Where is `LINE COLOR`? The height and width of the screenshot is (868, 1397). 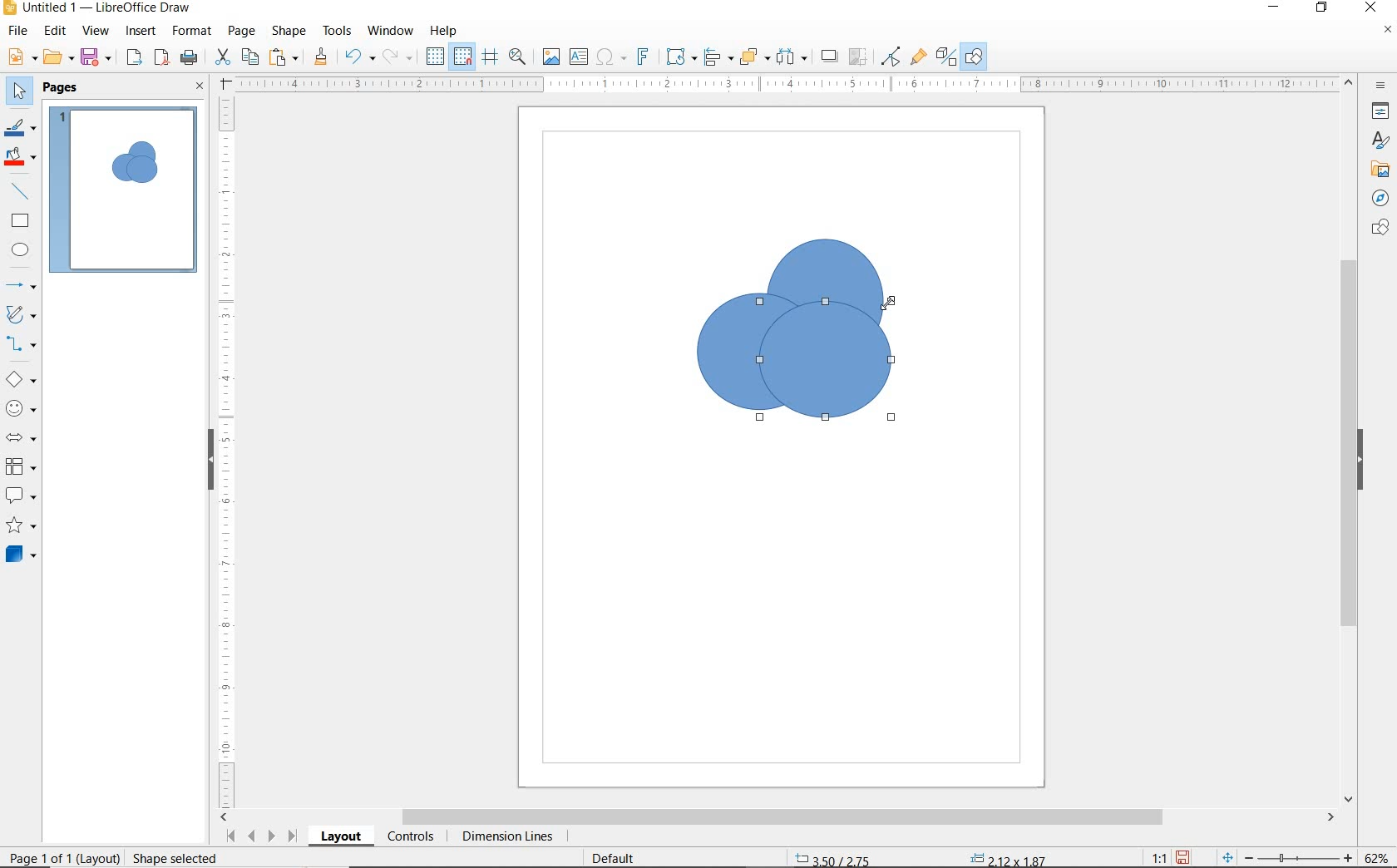 LINE COLOR is located at coordinates (20, 127).